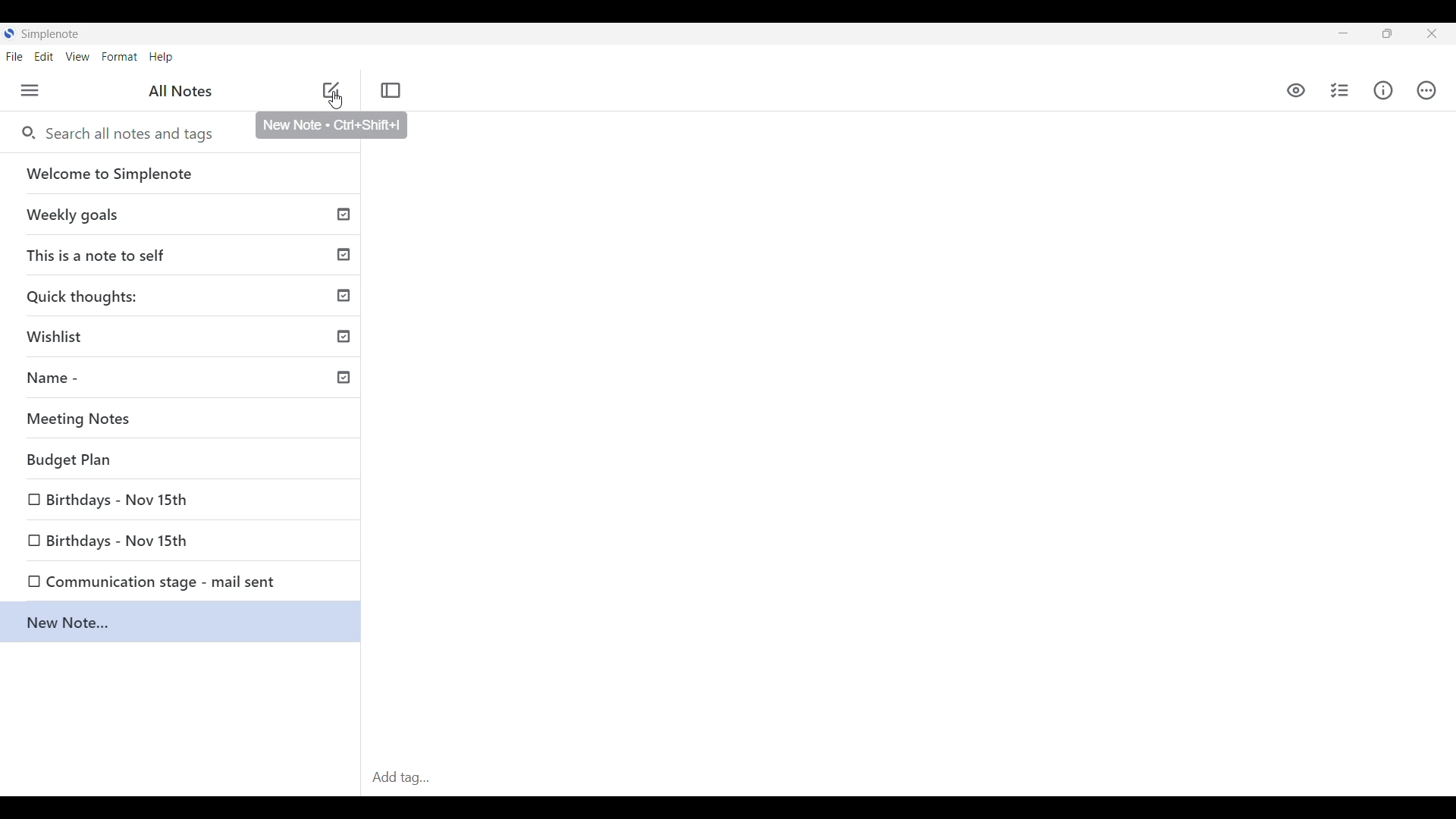 Image resolution: width=1456 pixels, height=819 pixels. What do you see at coordinates (44, 56) in the screenshot?
I see `Edit ` at bounding box center [44, 56].